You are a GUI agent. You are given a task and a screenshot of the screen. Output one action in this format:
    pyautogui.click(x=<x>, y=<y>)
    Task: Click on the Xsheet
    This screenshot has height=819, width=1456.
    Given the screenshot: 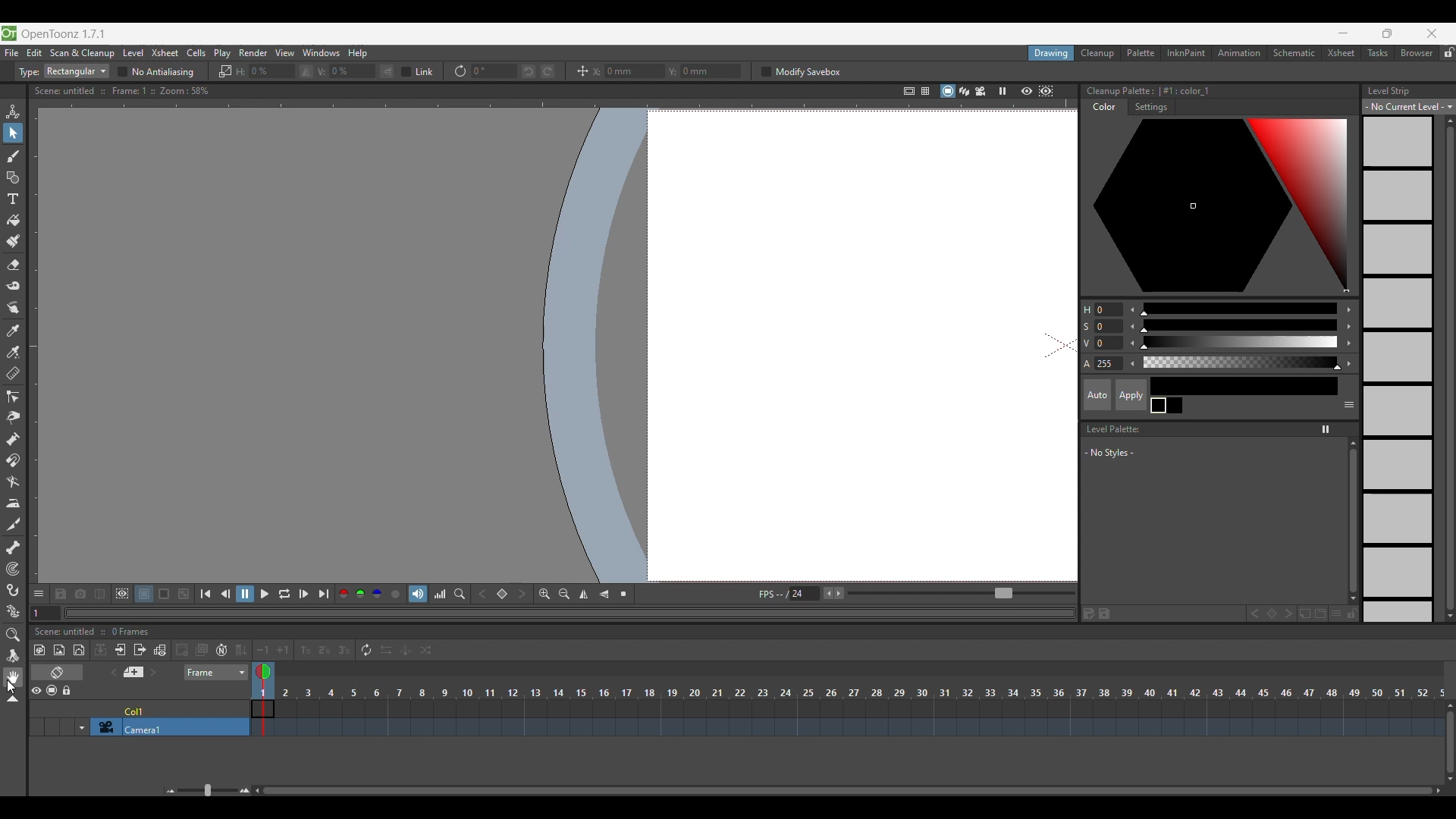 What is the action you would take?
    pyautogui.click(x=1341, y=53)
    